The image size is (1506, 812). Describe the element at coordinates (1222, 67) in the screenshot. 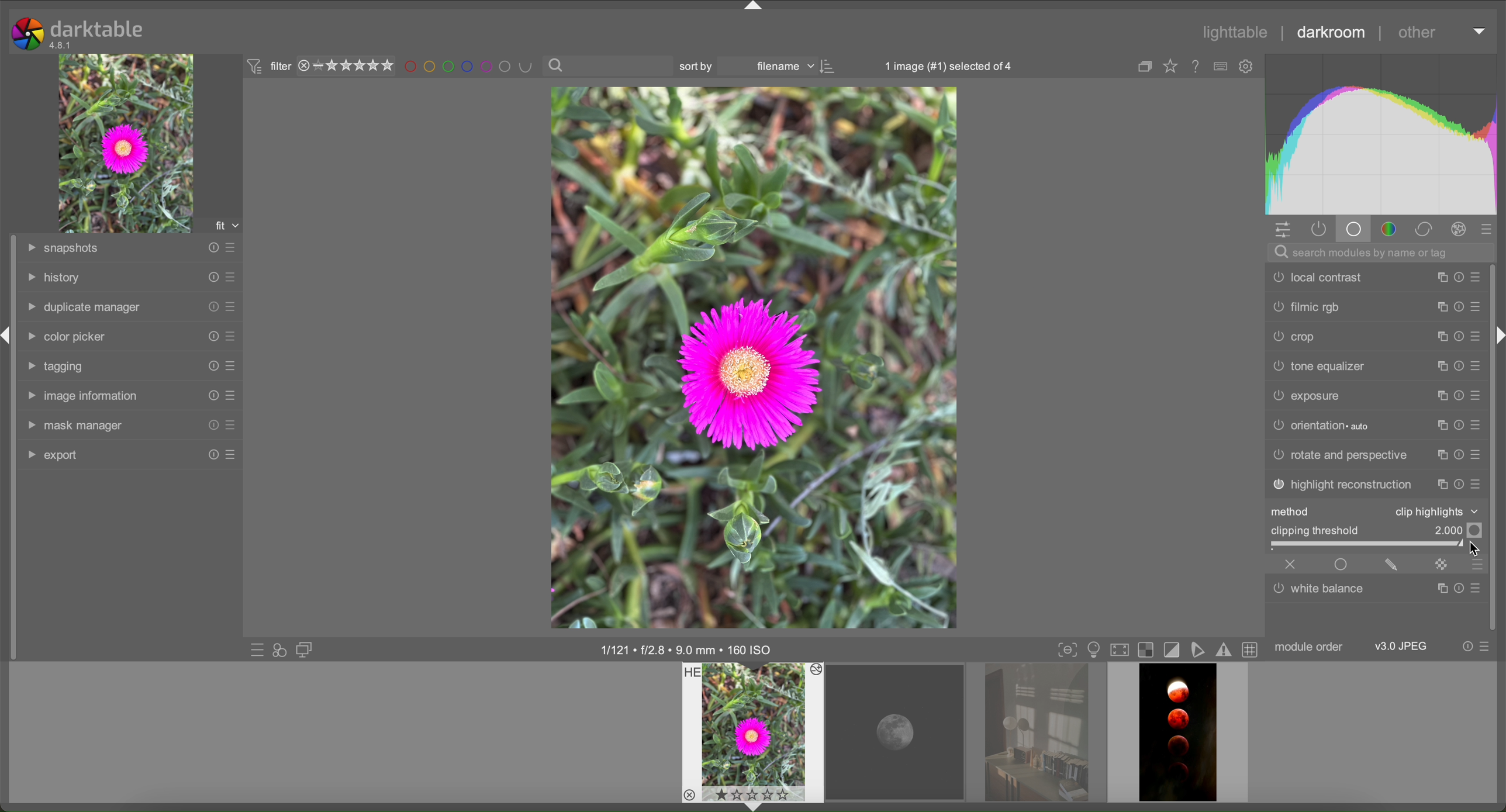

I see `type of overlays` at that location.